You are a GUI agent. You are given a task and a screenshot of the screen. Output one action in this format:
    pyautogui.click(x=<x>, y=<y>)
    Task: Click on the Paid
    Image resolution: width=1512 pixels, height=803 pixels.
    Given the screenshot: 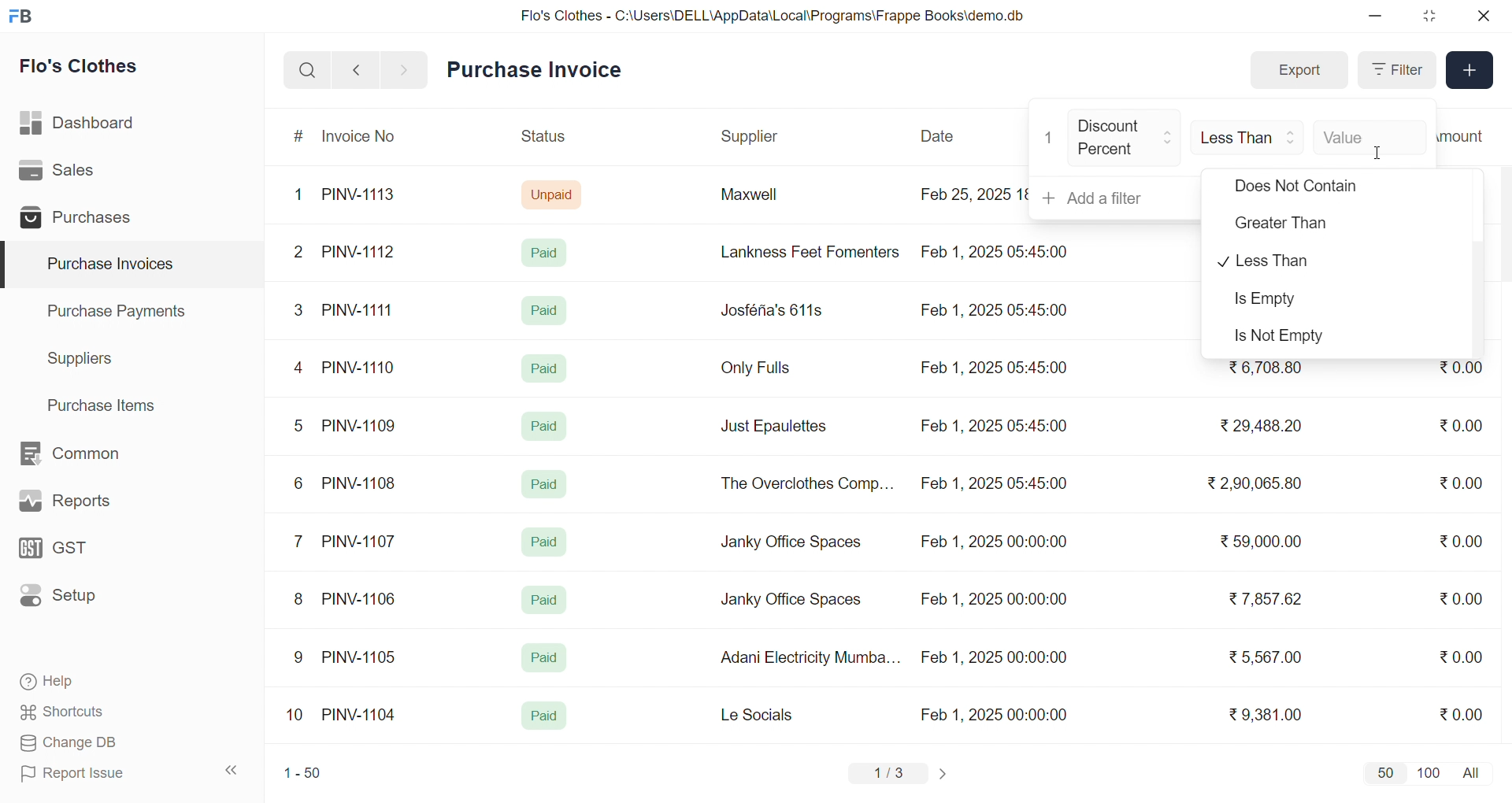 What is the action you would take?
    pyautogui.click(x=543, y=658)
    